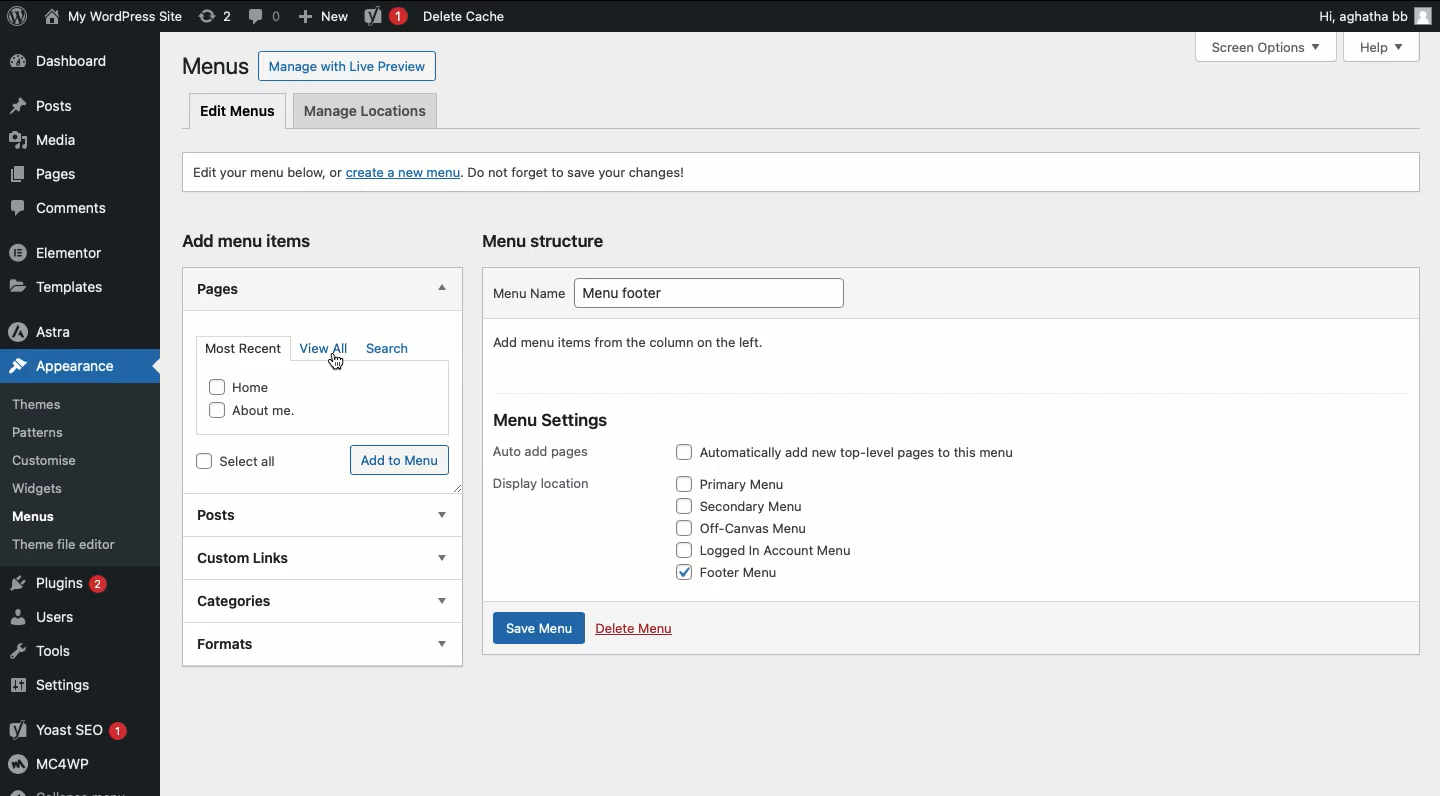 Image resolution: width=1440 pixels, height=796 pixels. Describe the element at coordinates (57, 619) in the screenshot. I see `Users` at that location.